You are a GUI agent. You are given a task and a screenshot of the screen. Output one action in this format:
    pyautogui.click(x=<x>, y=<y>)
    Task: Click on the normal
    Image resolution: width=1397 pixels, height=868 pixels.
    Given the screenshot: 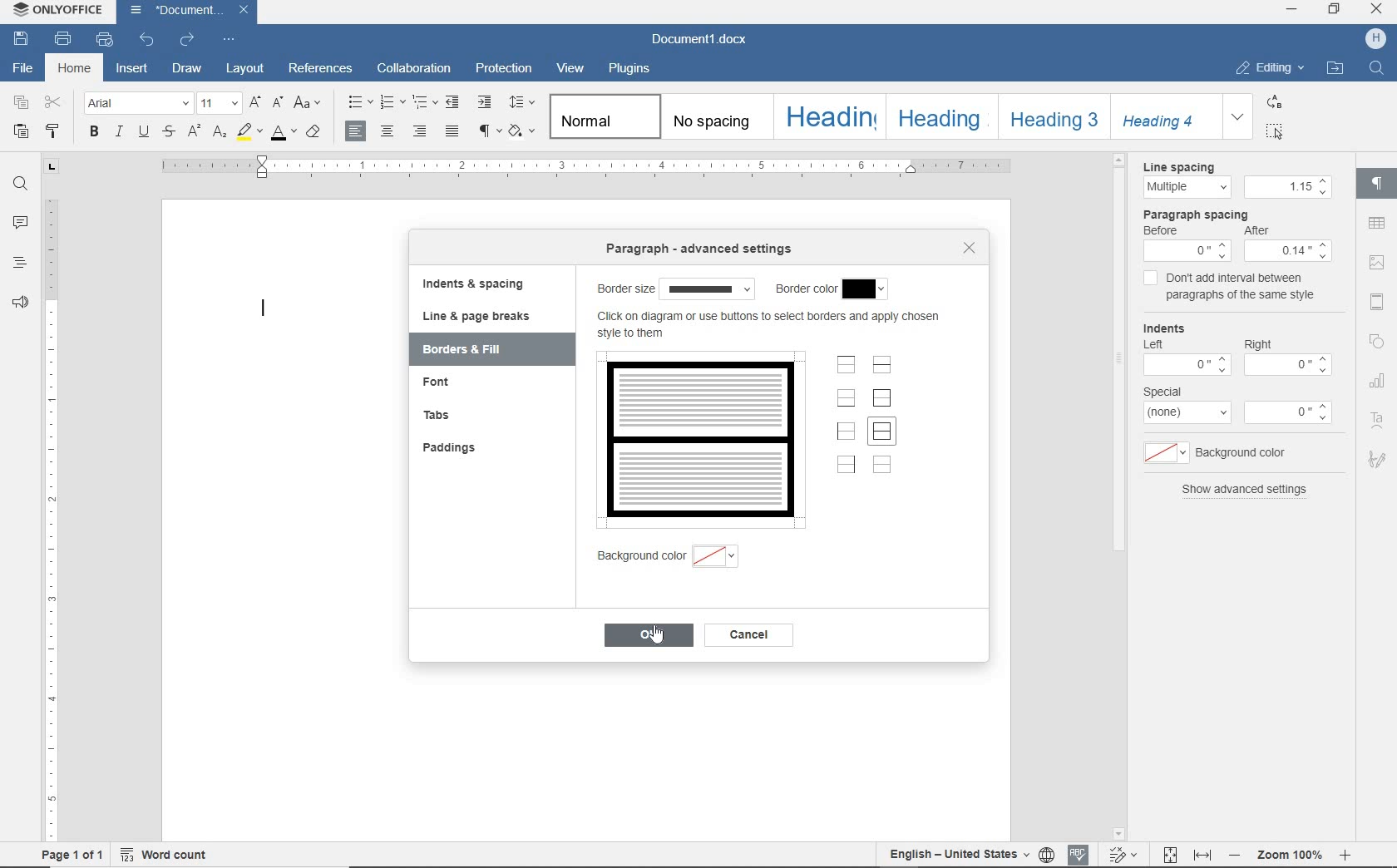 What is the action you would take?
    pyautogui.click(x=605, y=117)
    